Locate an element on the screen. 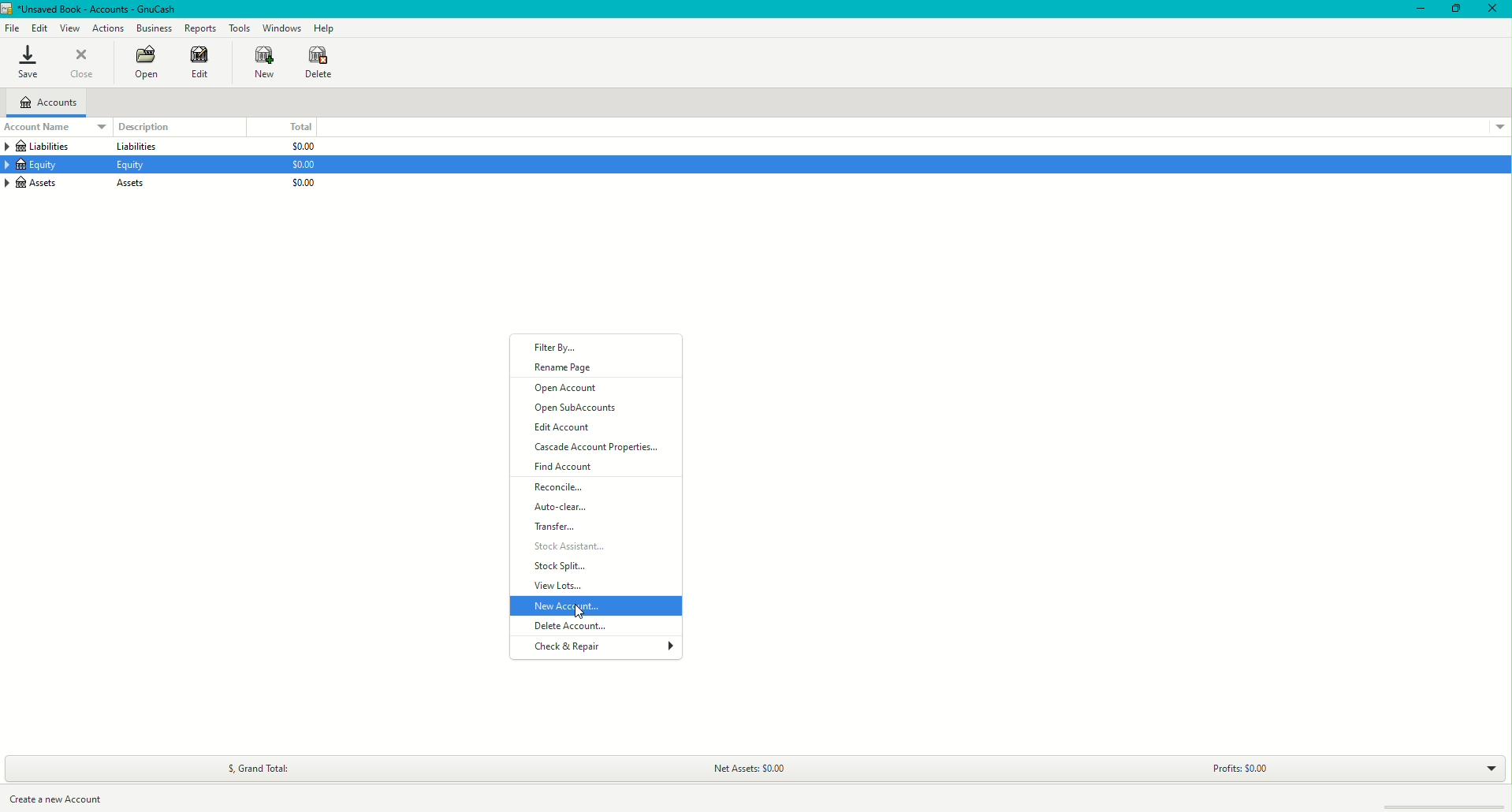 The height and width of the screenshot is (812, 1512). $0 is located at coordinates (303, 167).